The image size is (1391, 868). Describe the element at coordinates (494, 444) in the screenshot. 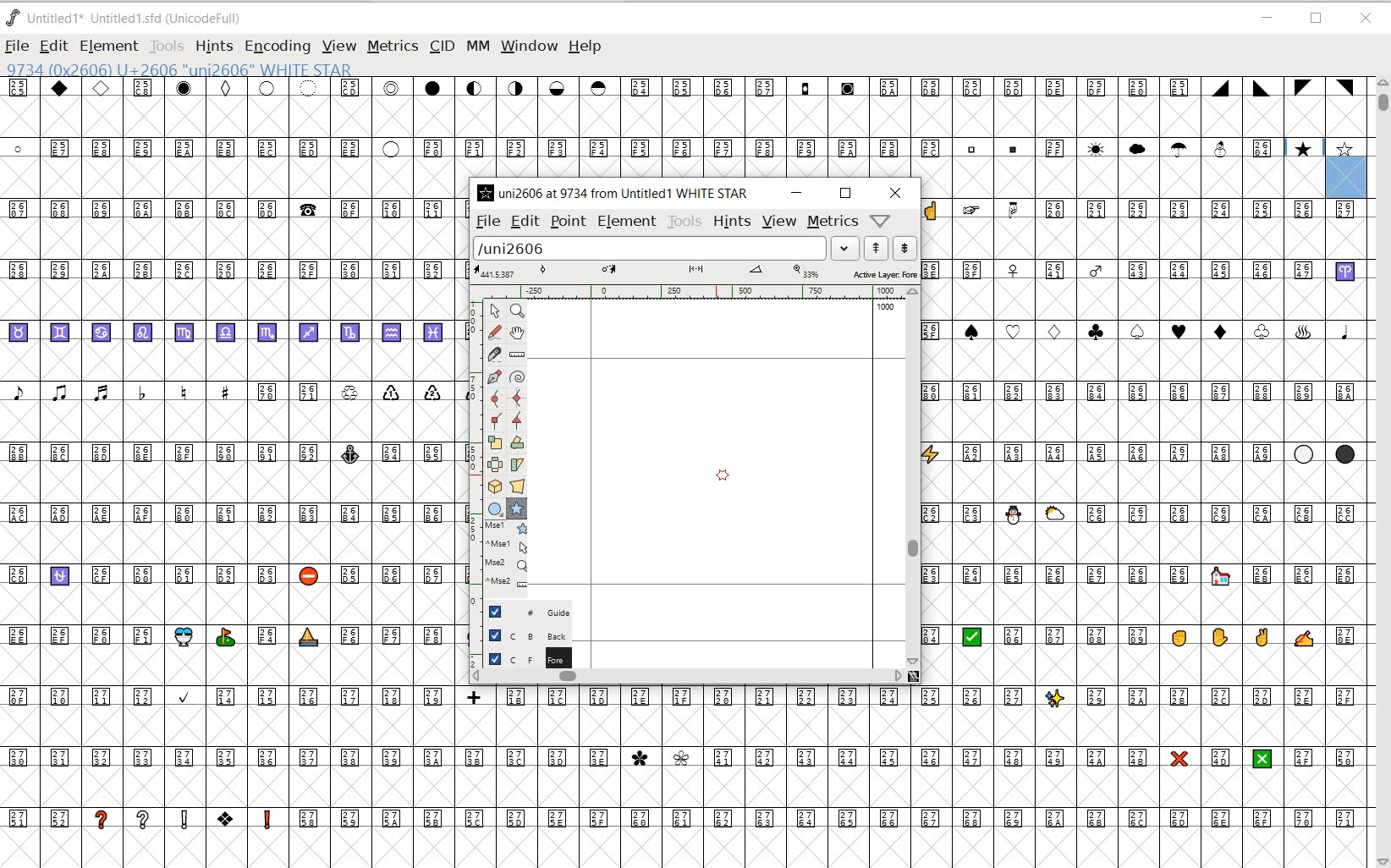

I see `SELECT THE SELECTION` at that location.